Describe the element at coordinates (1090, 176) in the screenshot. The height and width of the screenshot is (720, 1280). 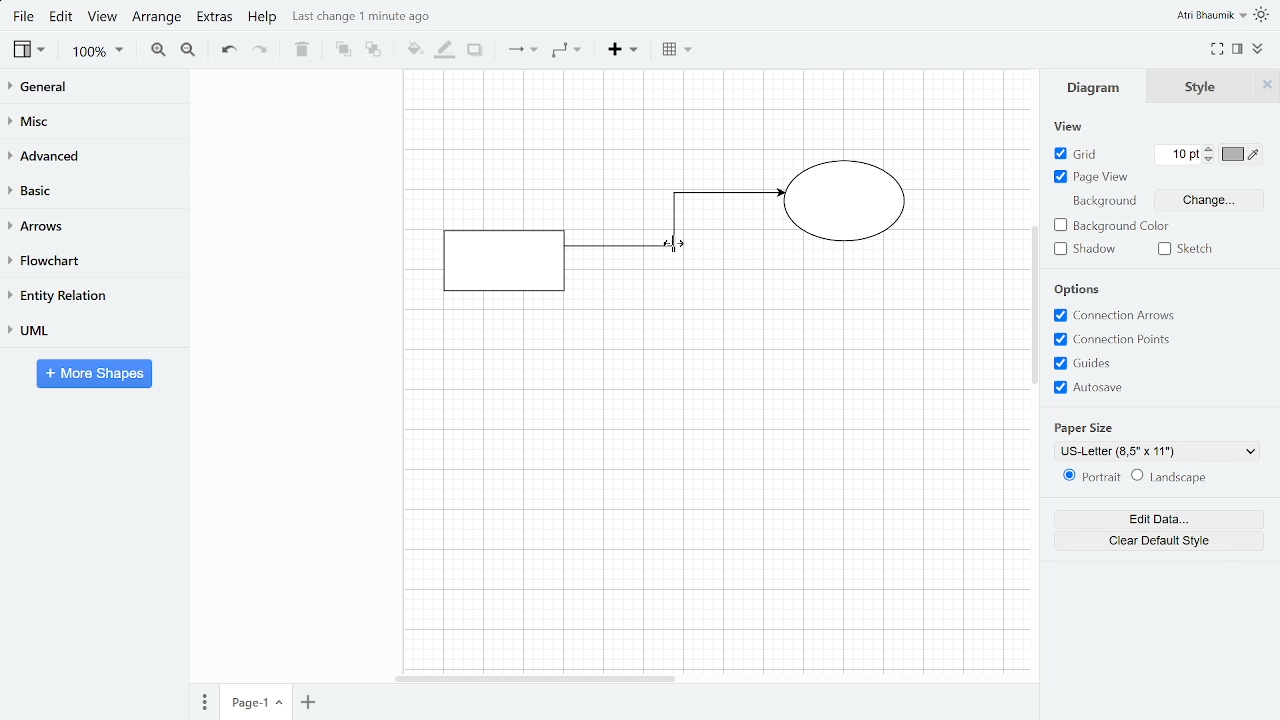
I see `Paper view` at that location.